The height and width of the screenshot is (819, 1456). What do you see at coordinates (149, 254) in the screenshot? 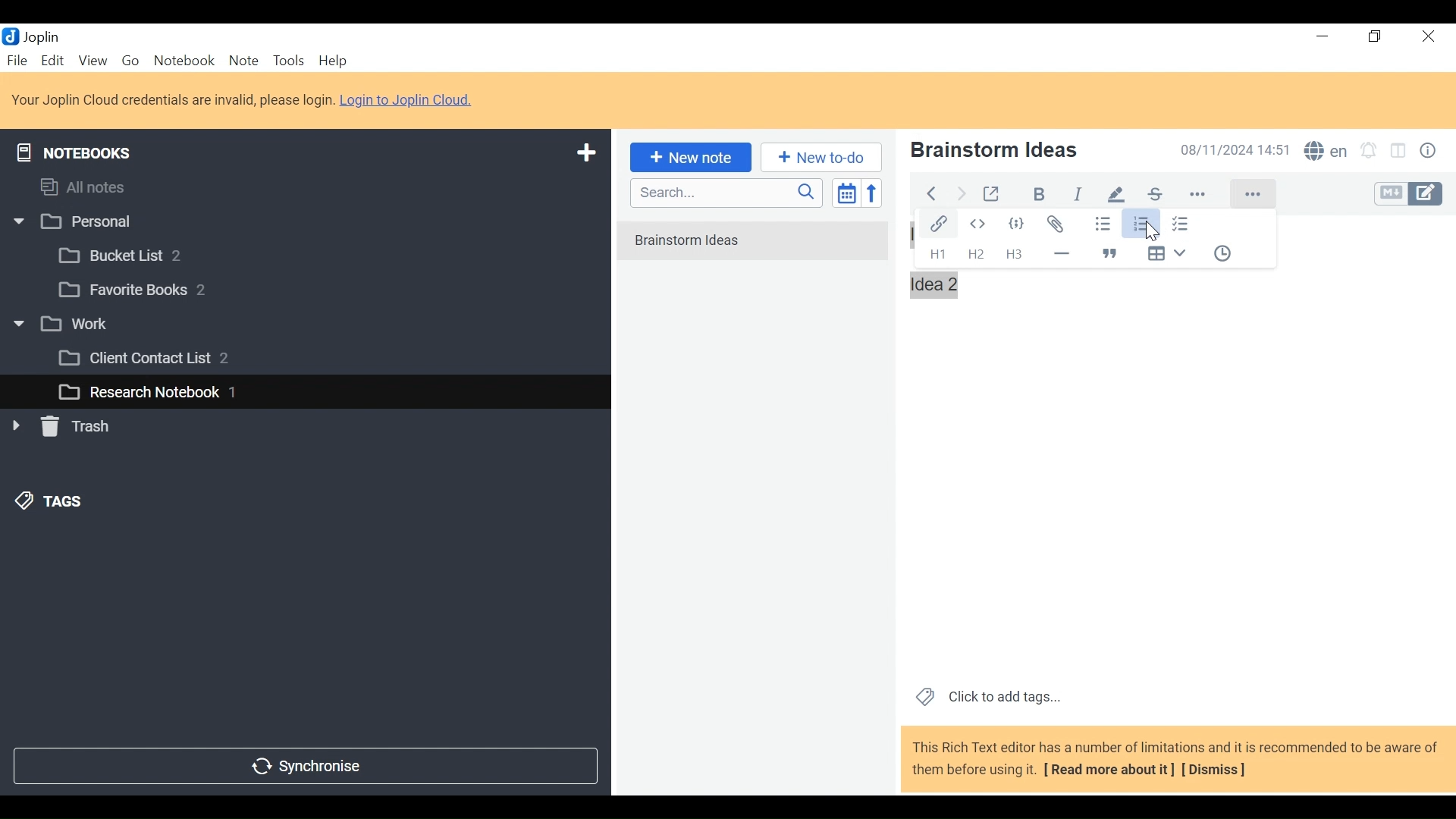
I see `[3 Bucket List 2` at bounding box center [149, 254].